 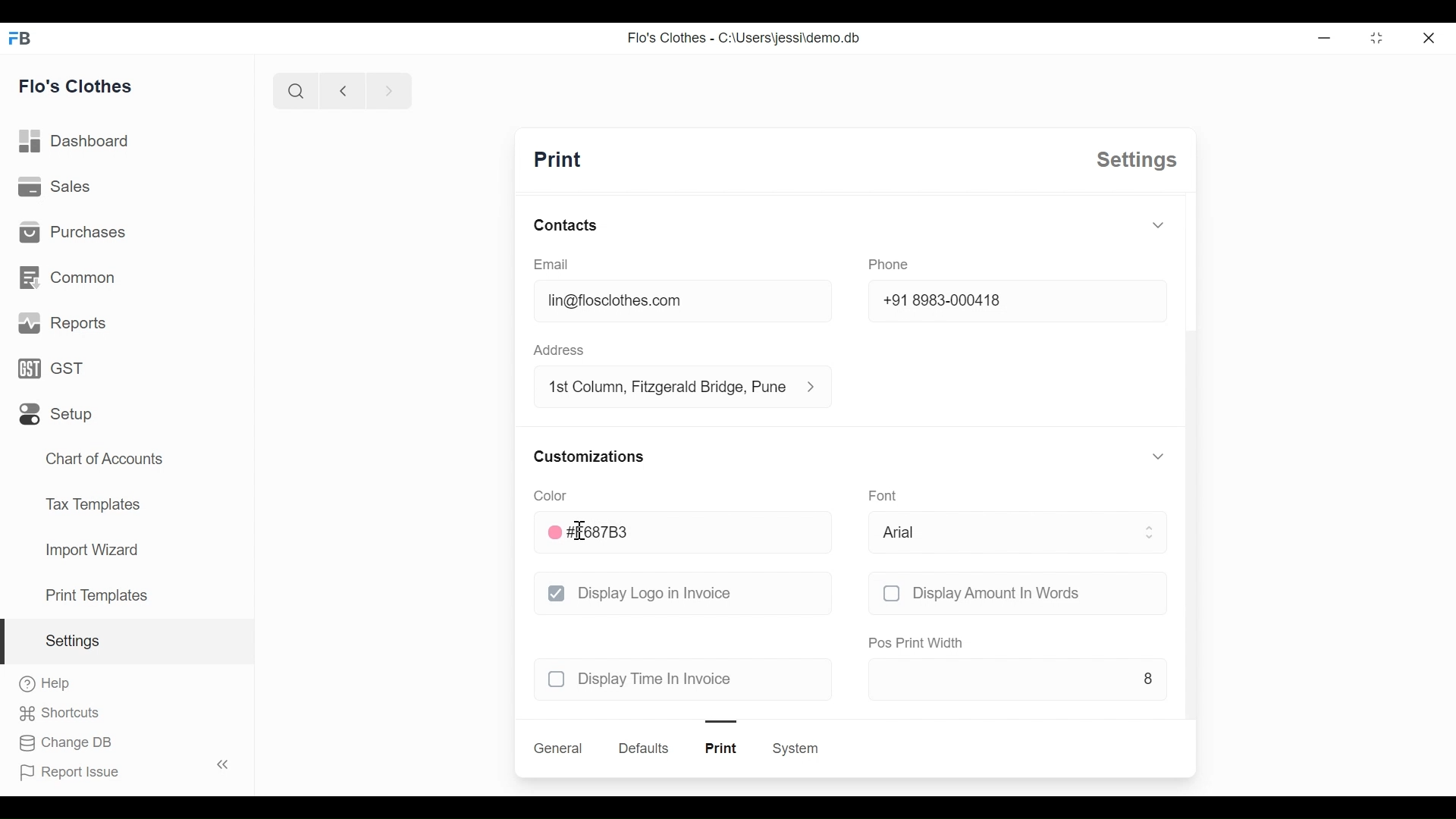 I want to click on 1st column, fitzgerald bridge, Pune, so click(x=666, y=385).